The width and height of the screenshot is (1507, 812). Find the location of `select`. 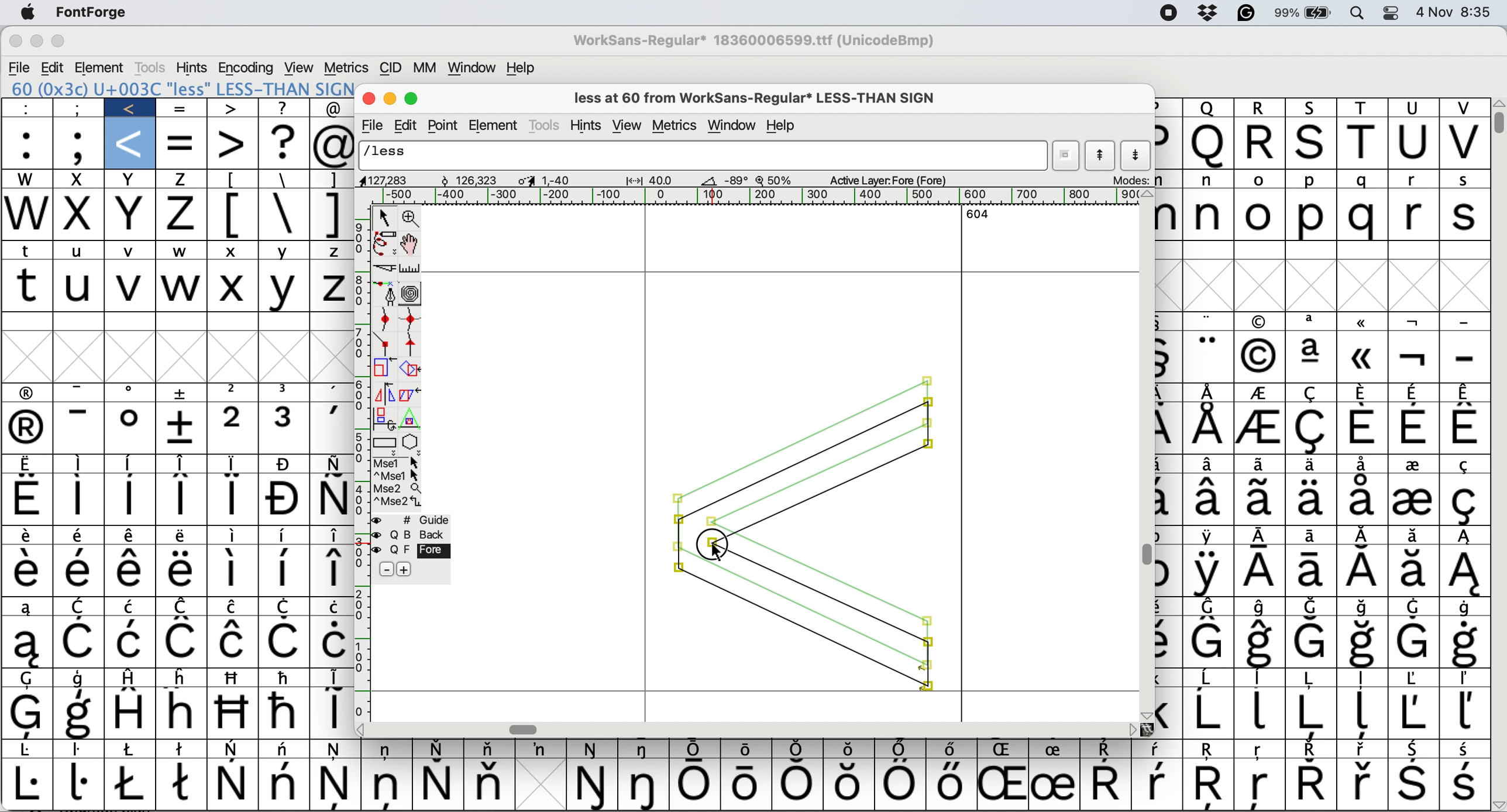

select is located at coordinates (383, 219).